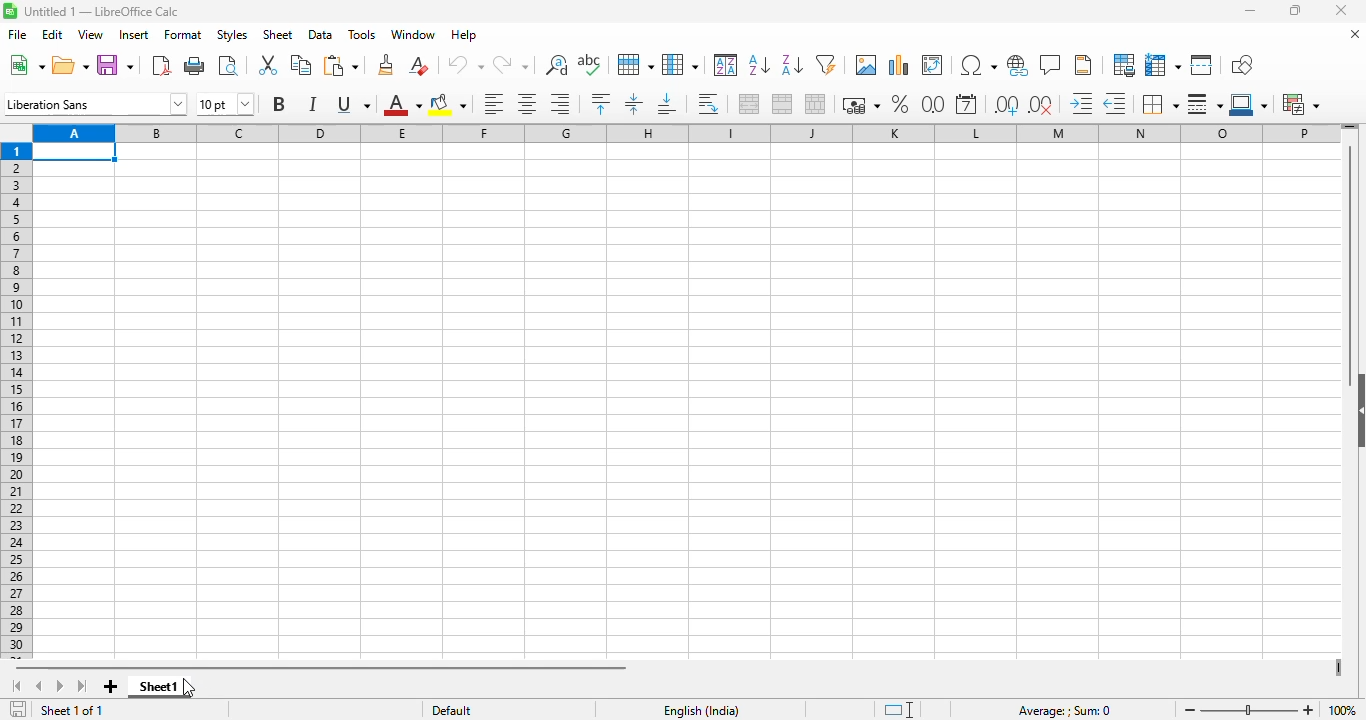  What do you see at coordinates (1080, 102) in the screenshot?
I see `increase indent` at bounding box center [1080, 102].